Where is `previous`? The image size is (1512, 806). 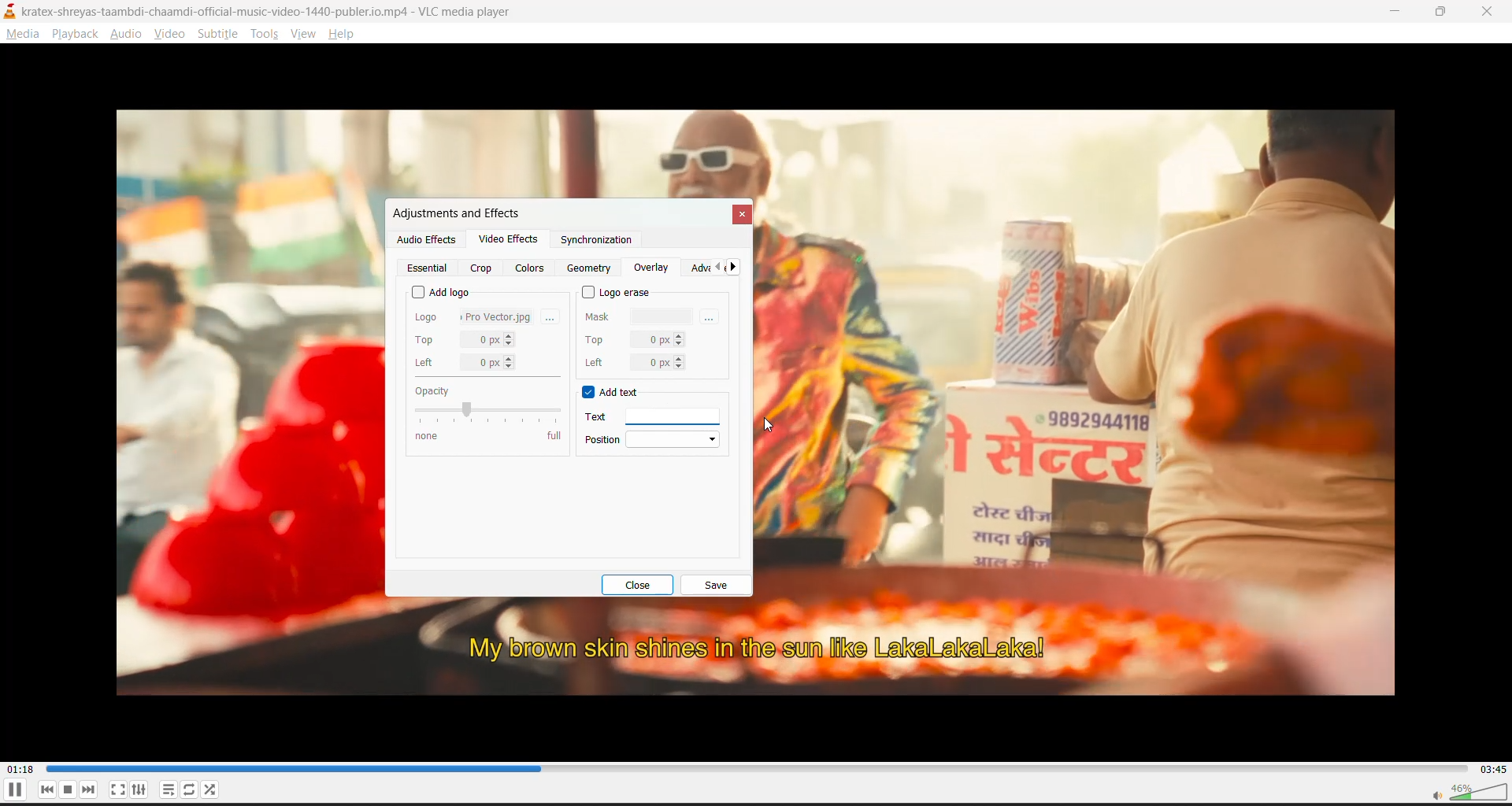
previous is located at coordinates (50, 789).